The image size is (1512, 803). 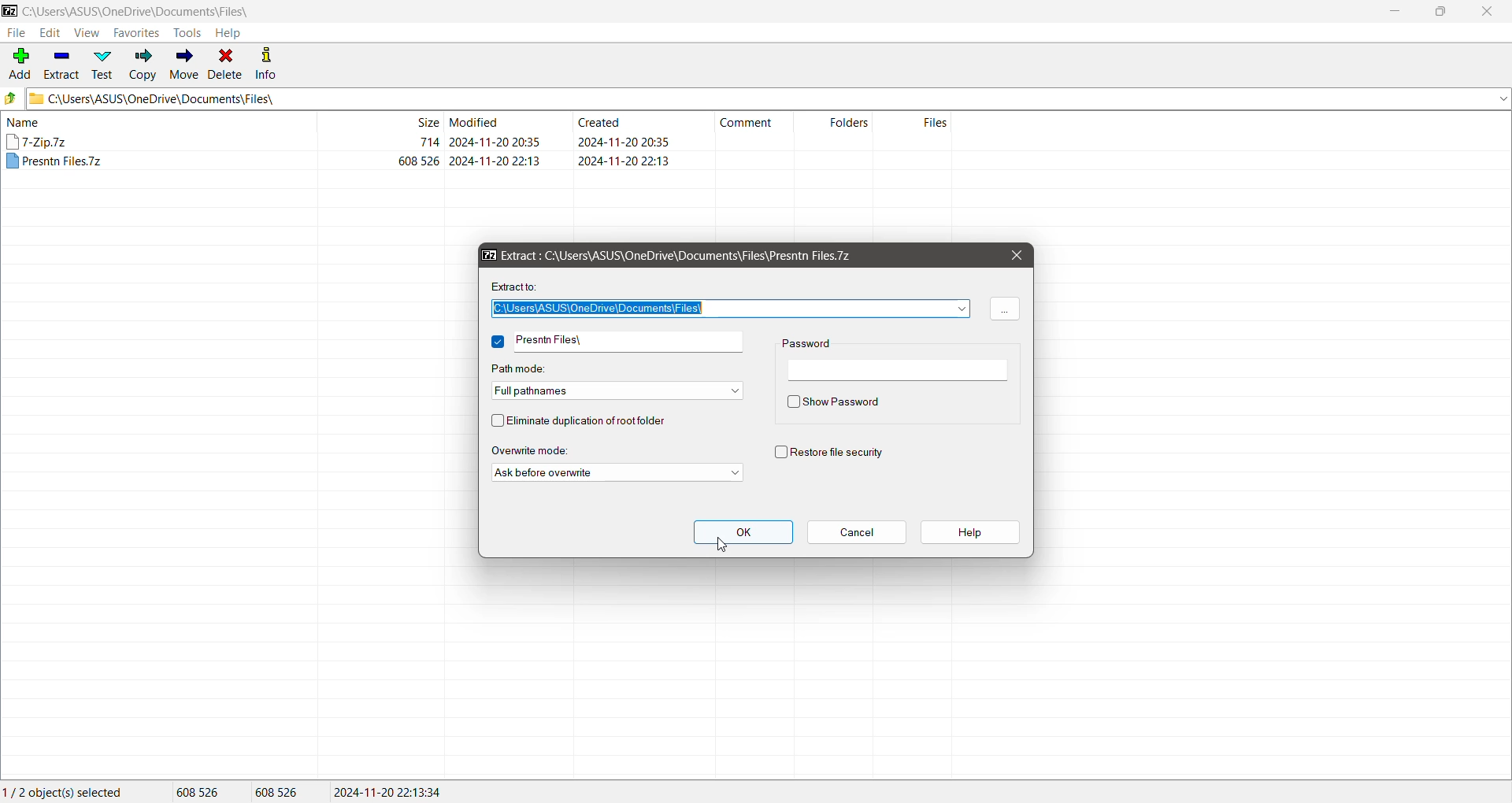 What do you see at coordinates (747, 123) in the screenshot?
I see `comment` at bounding box center [747, 123].